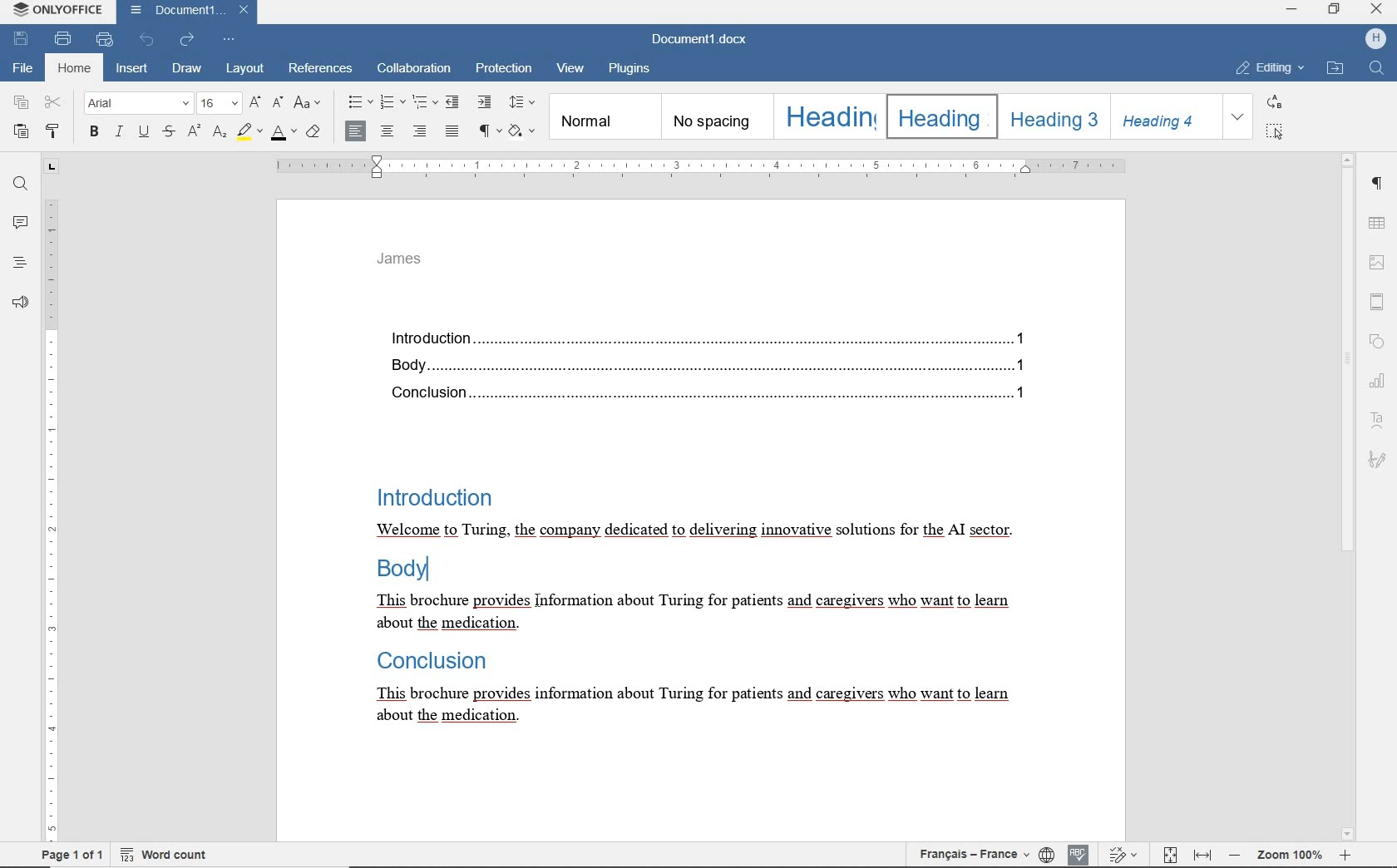  What do you see at coordinates (1378, 462) in the screenshot?
I see `SIGNATURE` at bounding box center [1378, 462].